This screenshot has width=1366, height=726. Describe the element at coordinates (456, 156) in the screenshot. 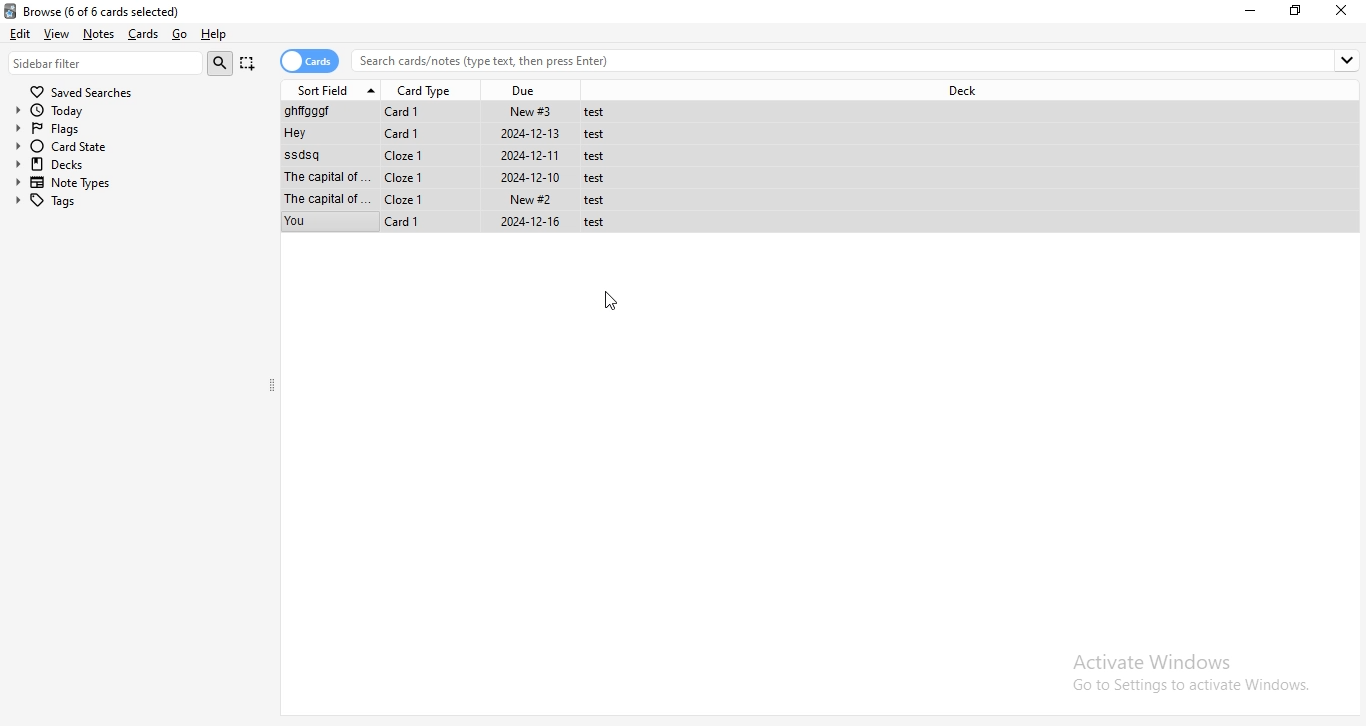

I see `File` at that location.